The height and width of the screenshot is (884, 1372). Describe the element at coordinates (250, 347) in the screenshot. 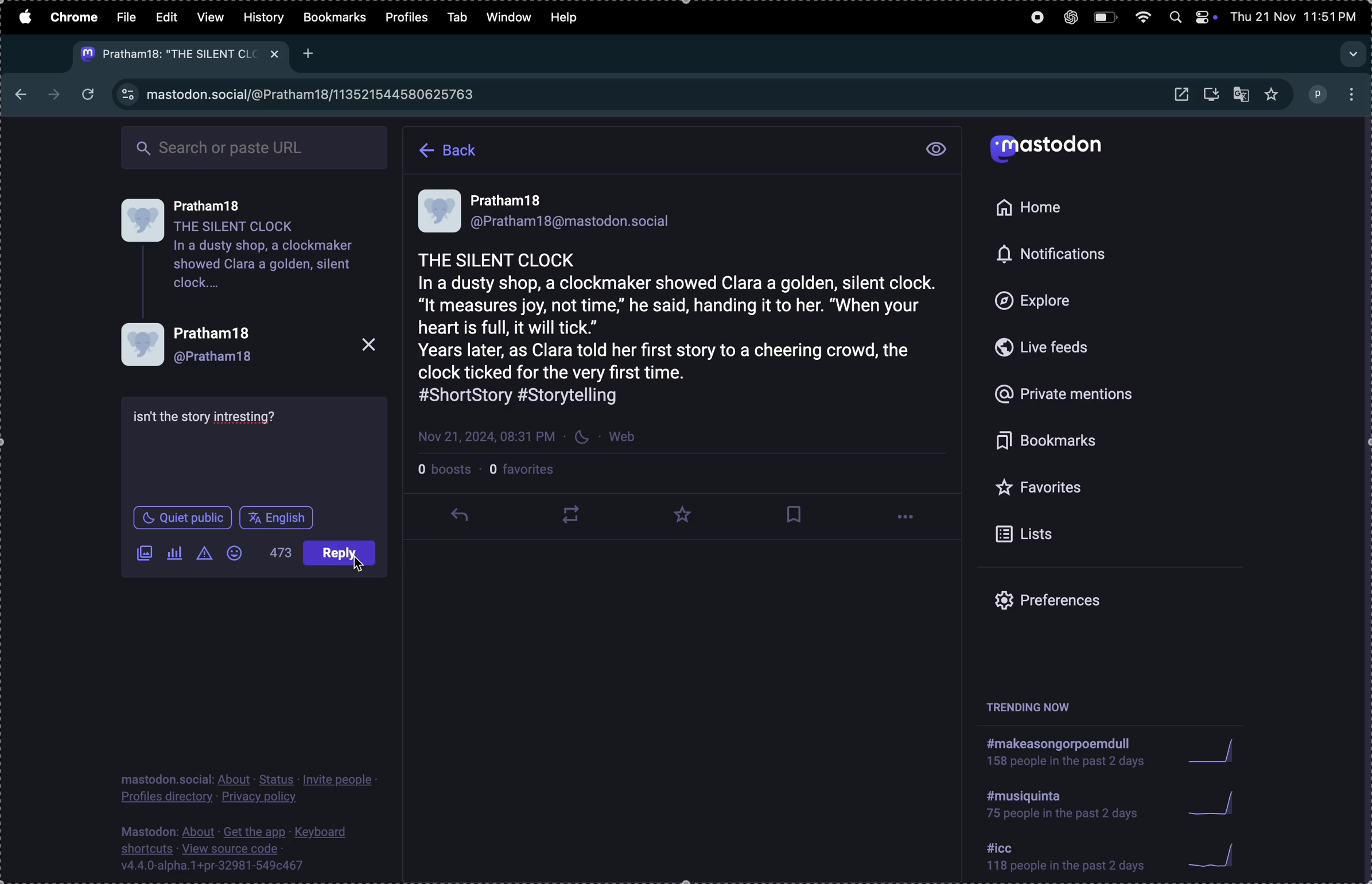

I see `profile` at that location.